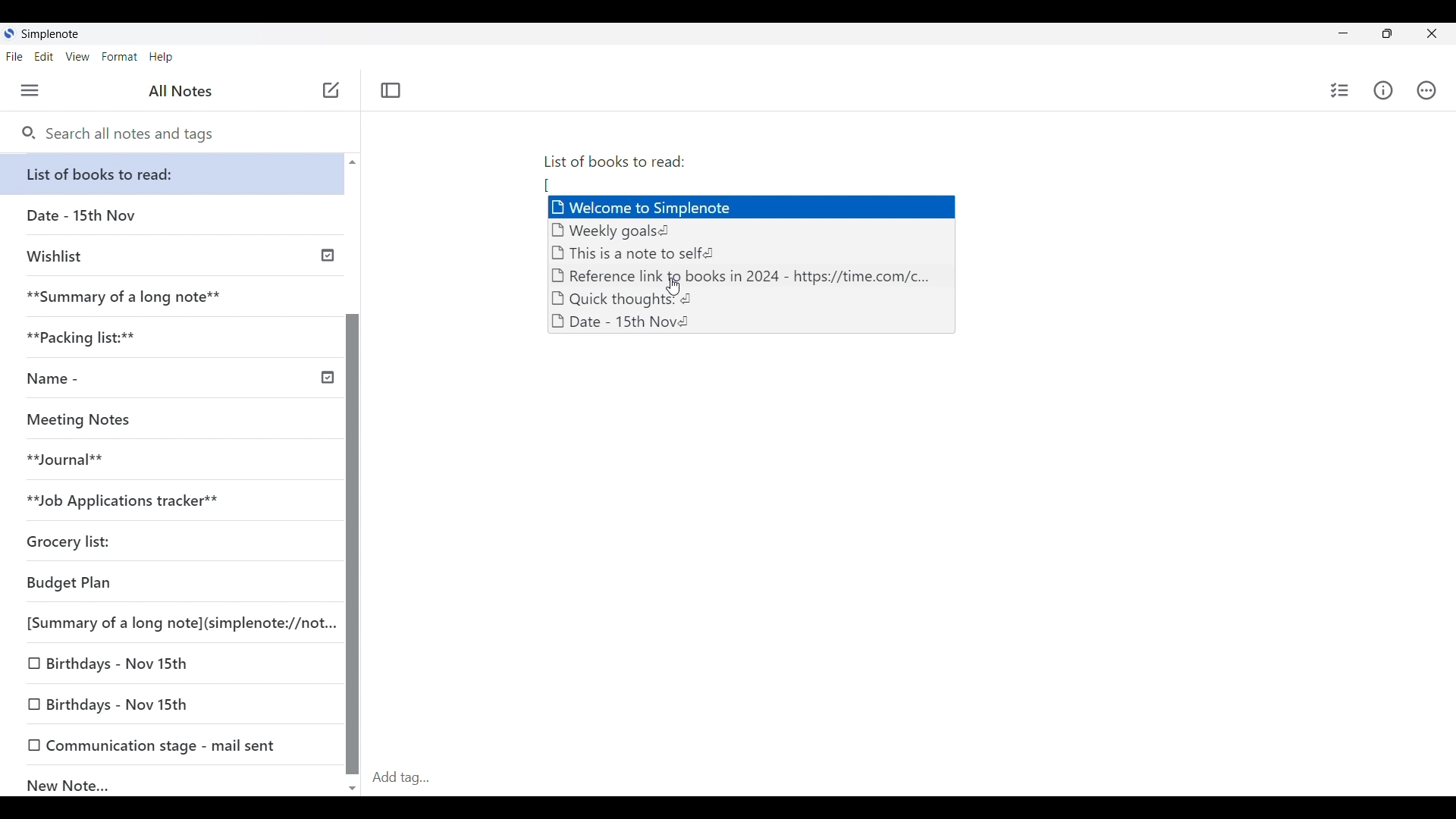  I want to click on Name -, so click(177, 380).